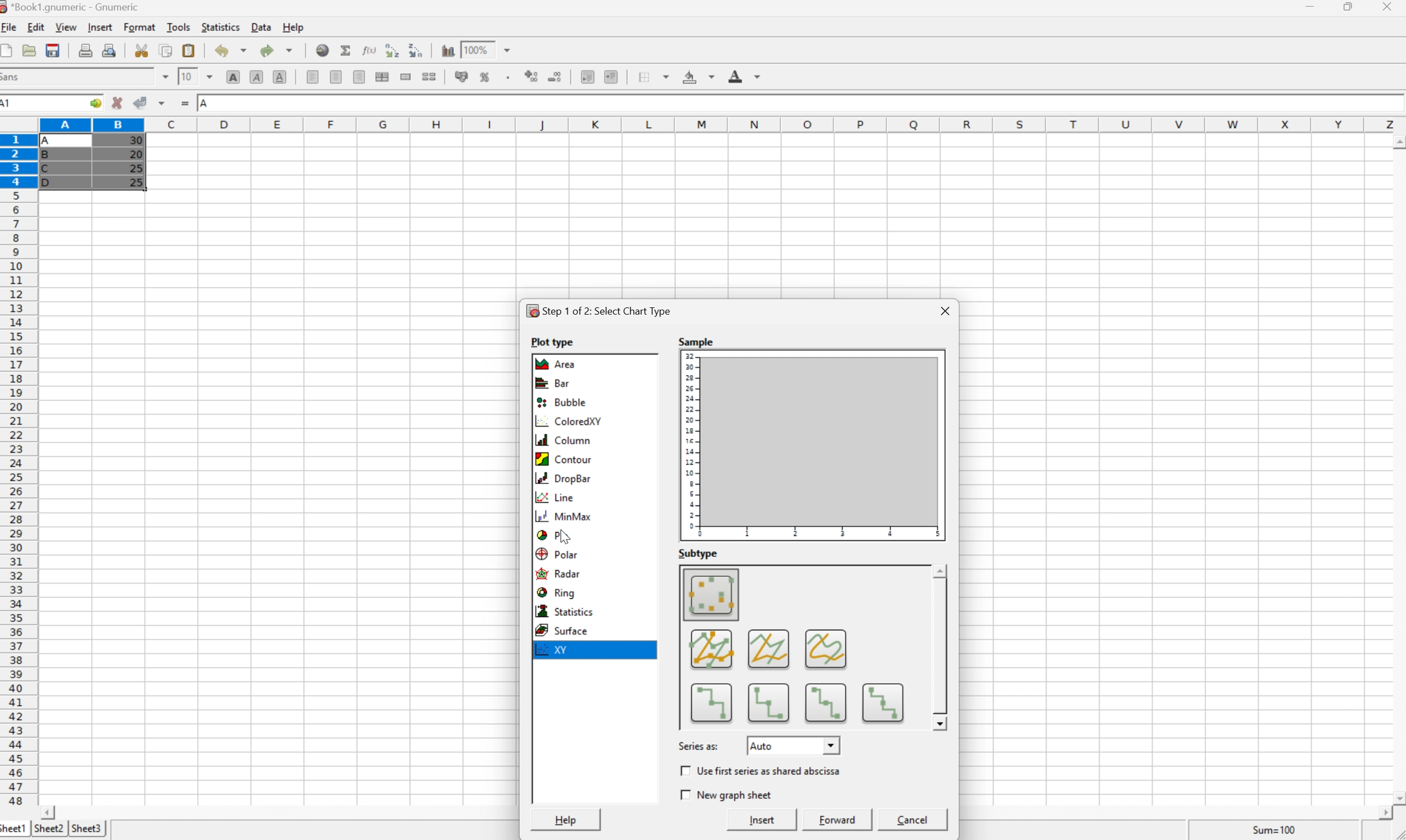 This screenshot has height=840, width=1406. Describe the element at coordinates (135, 154) in the screenshot. I see `20` at that location.